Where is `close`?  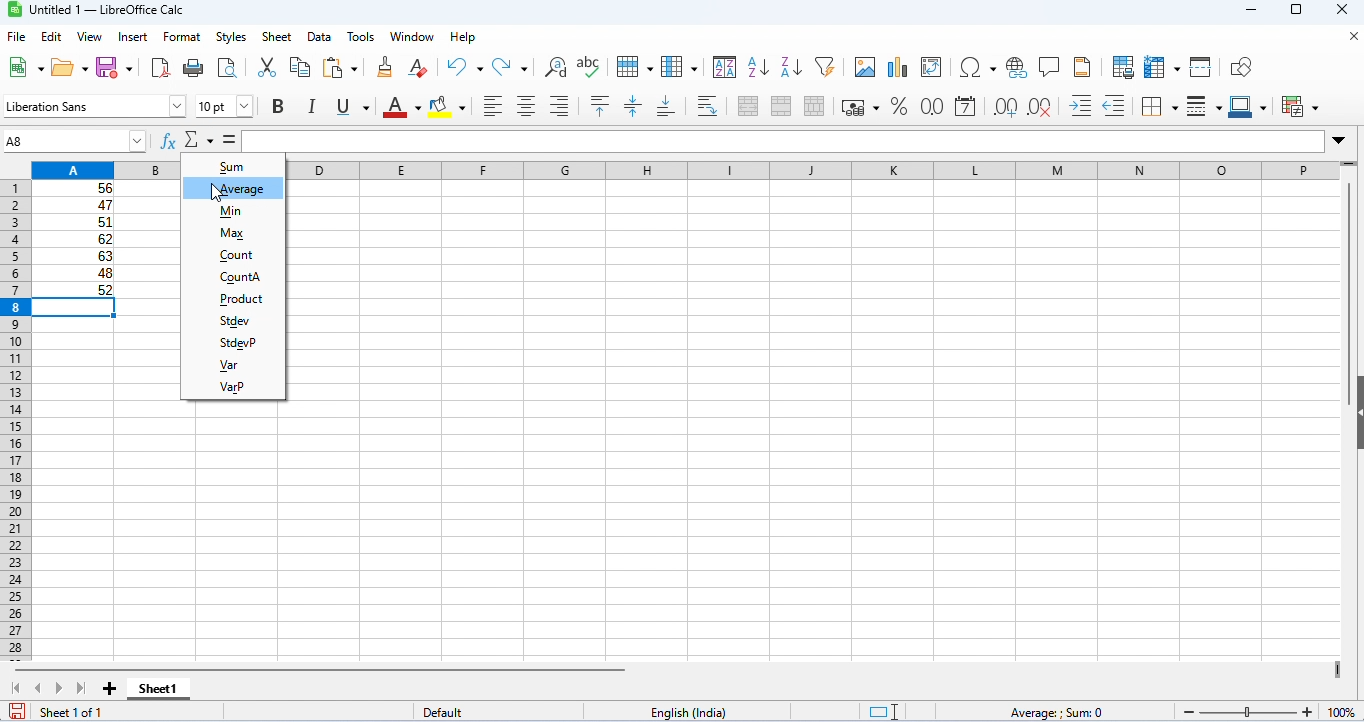 close is located at coordinates (1351, 37).